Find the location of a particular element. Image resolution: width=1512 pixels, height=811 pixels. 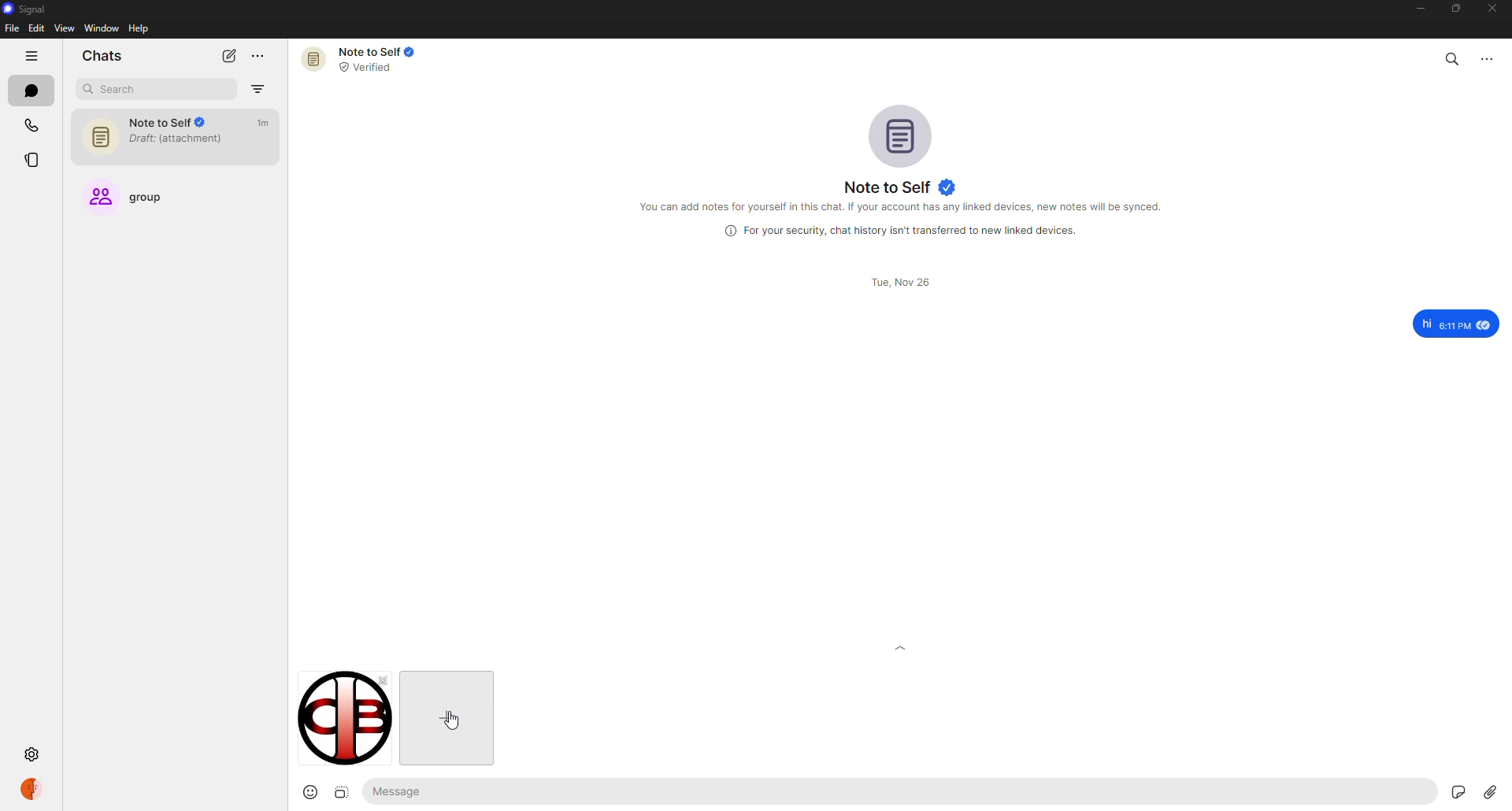

emoji is located at coordinates (303, 792).